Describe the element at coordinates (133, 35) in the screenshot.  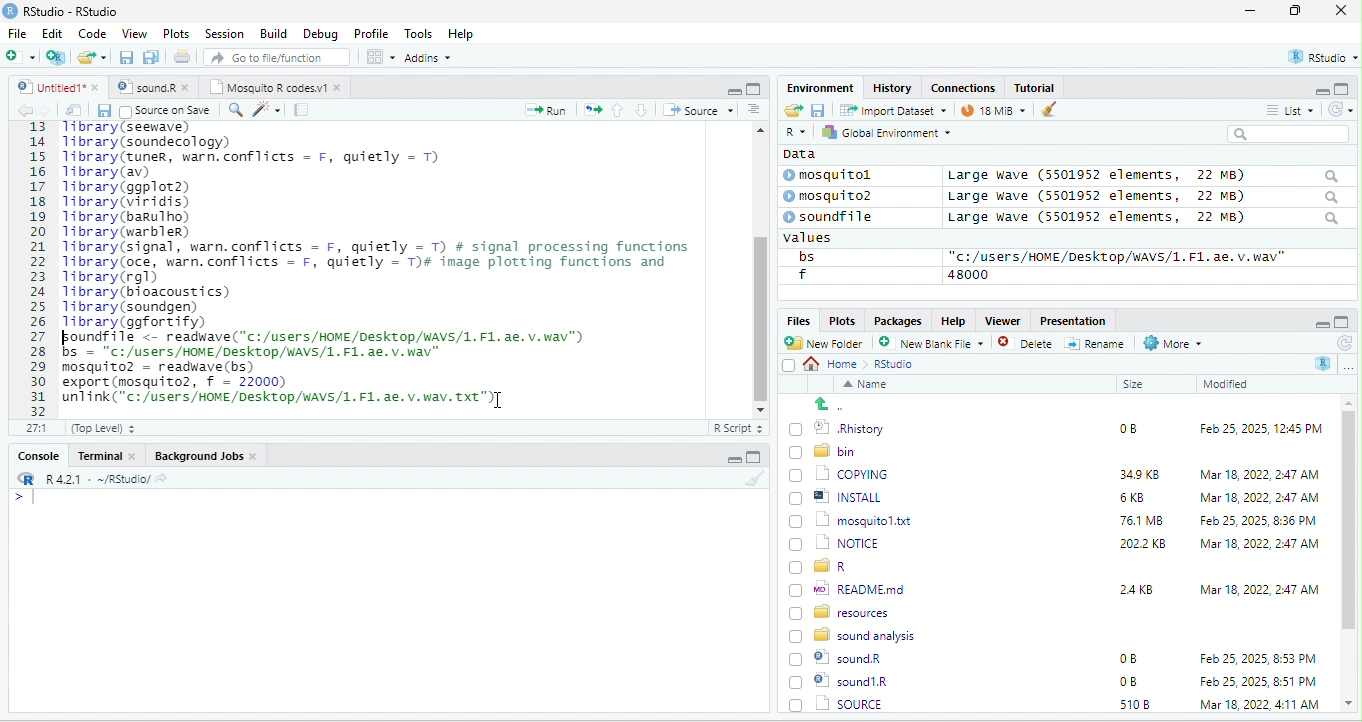
I see `View` at that location.